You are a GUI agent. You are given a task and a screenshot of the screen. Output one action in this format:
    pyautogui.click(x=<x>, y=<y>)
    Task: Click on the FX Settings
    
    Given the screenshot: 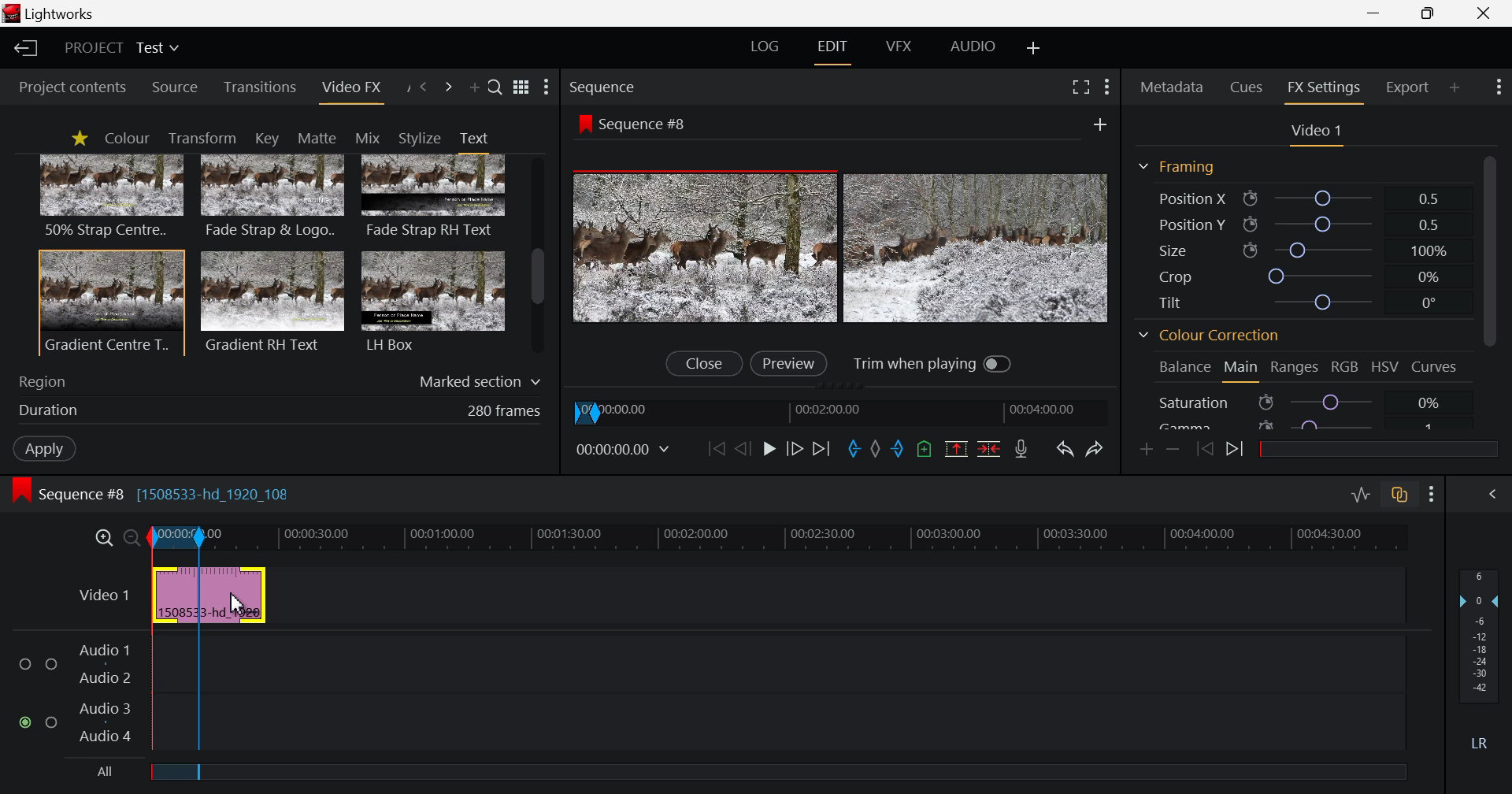 What is the action you would take?
    pyautogui.click(x=1323, y=87)
    